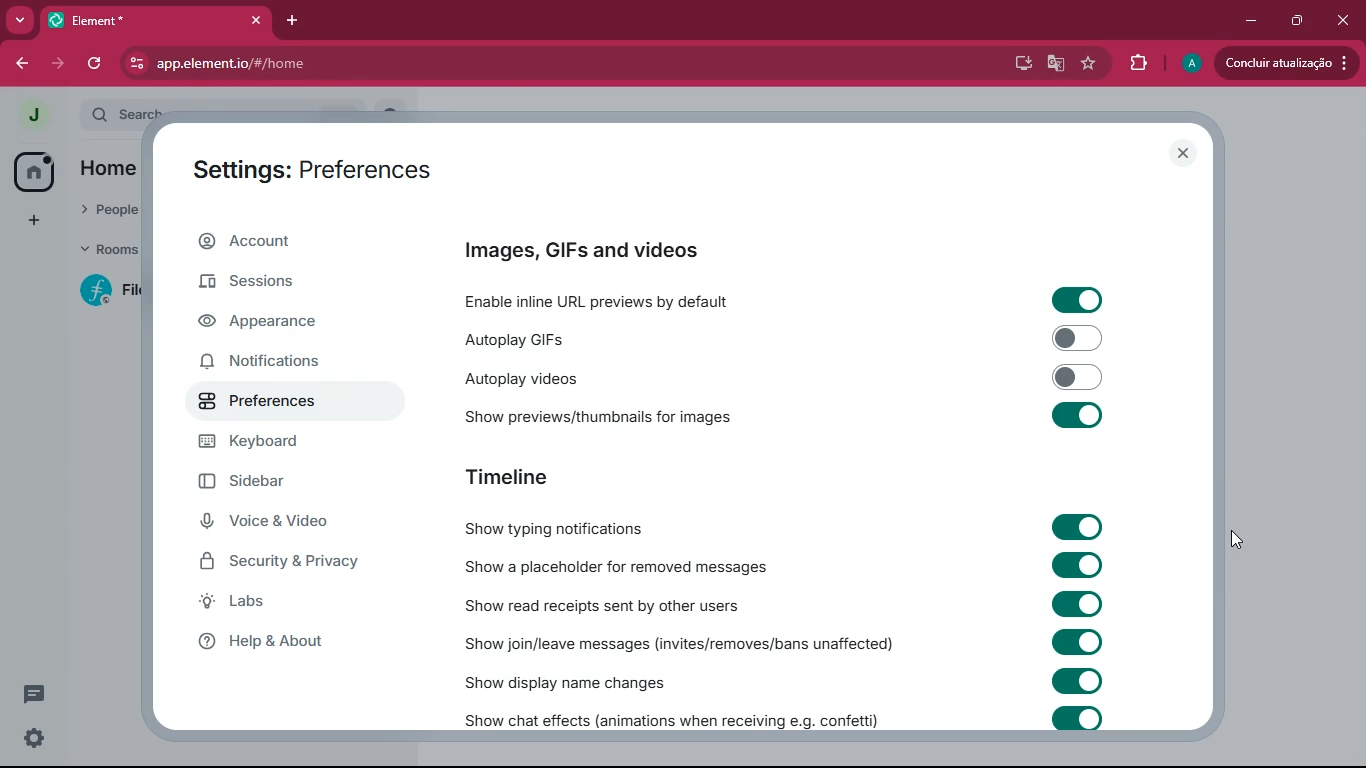 This screenshot has height=768, width=1366. I want to click on minimize, so click(1248, 22).